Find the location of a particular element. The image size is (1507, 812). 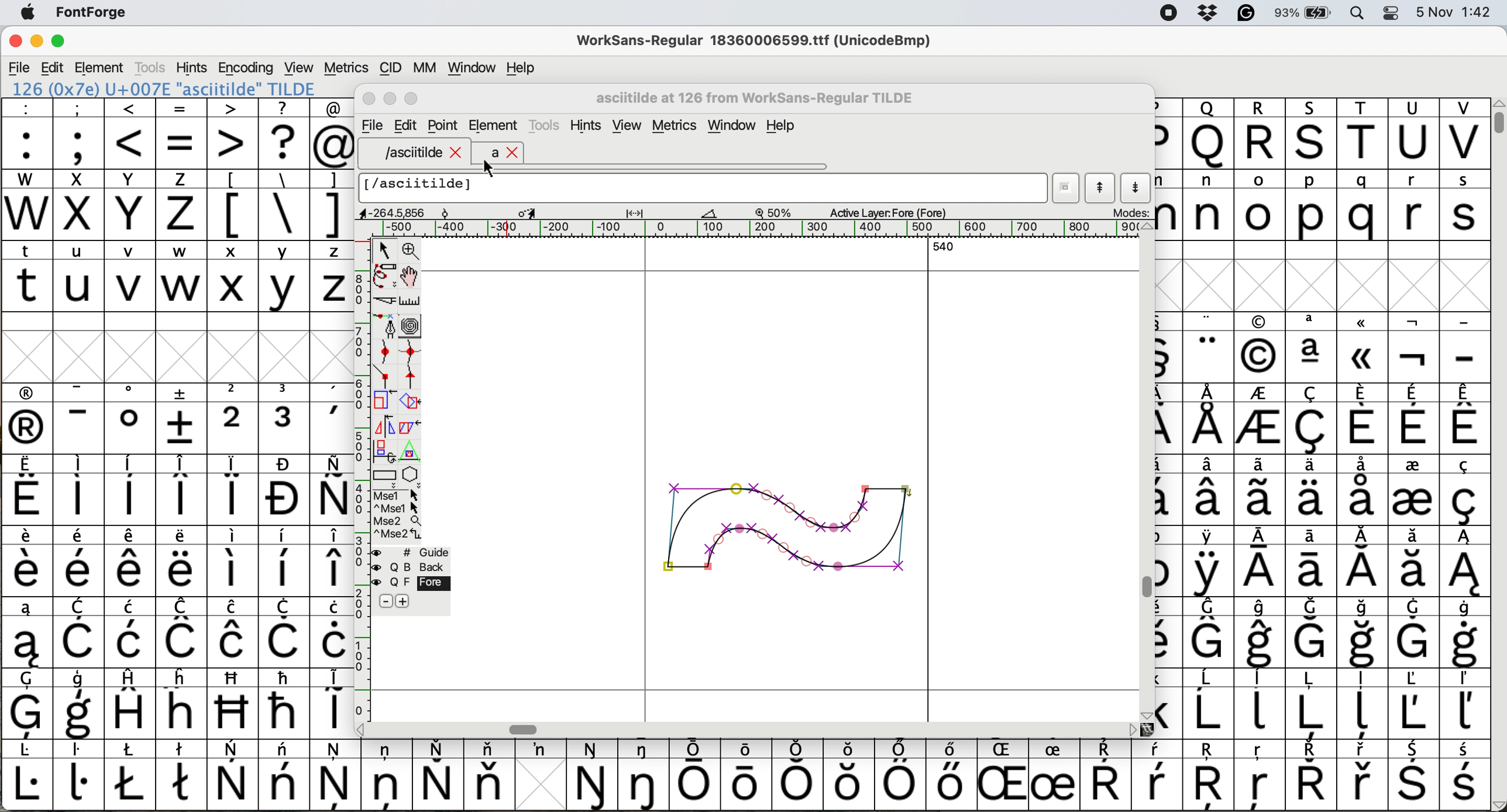

symbol is located at coordinates (28, 491).